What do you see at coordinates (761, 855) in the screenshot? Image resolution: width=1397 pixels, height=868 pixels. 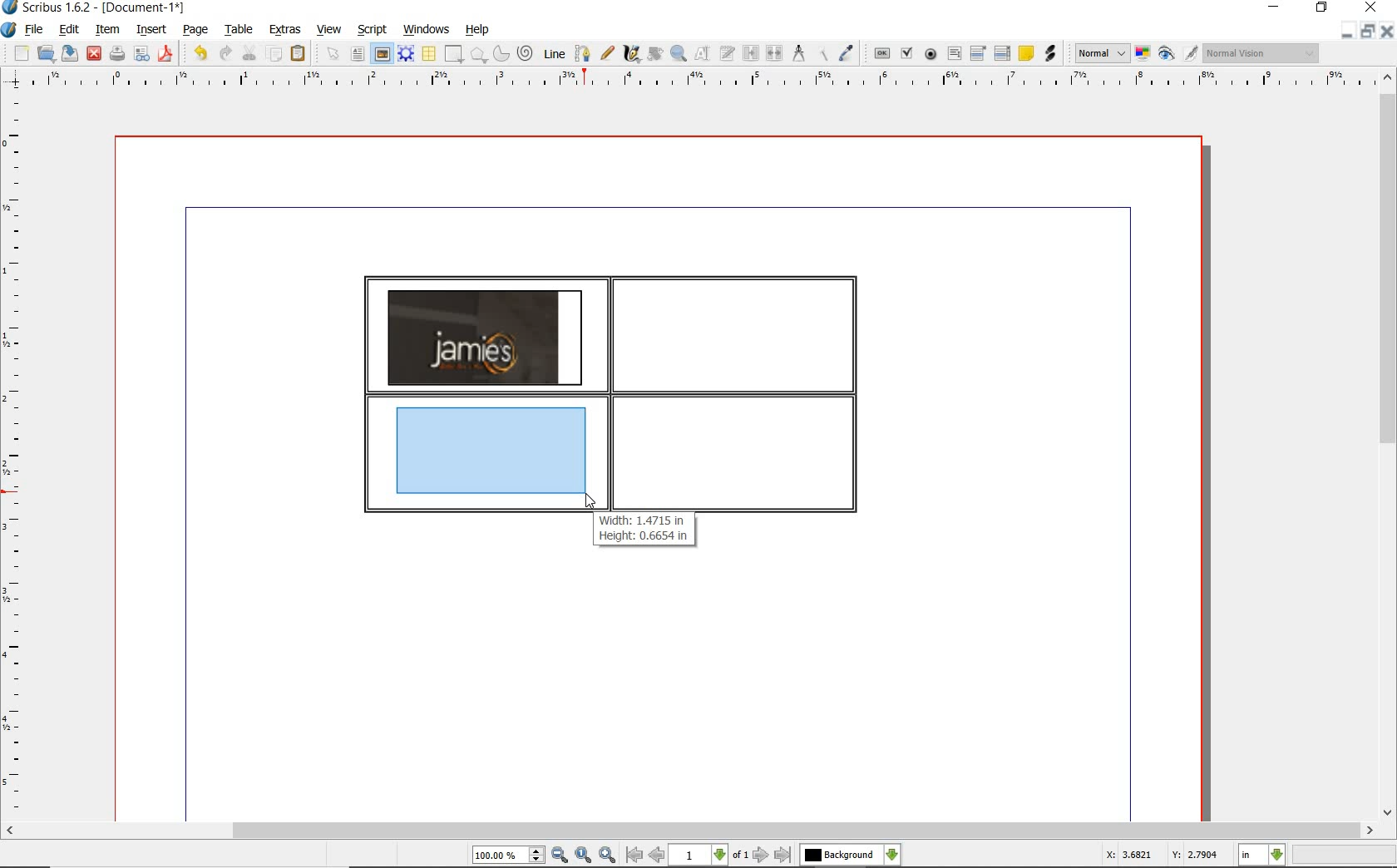 I see `go to next page` at bounding box center [761, 855].